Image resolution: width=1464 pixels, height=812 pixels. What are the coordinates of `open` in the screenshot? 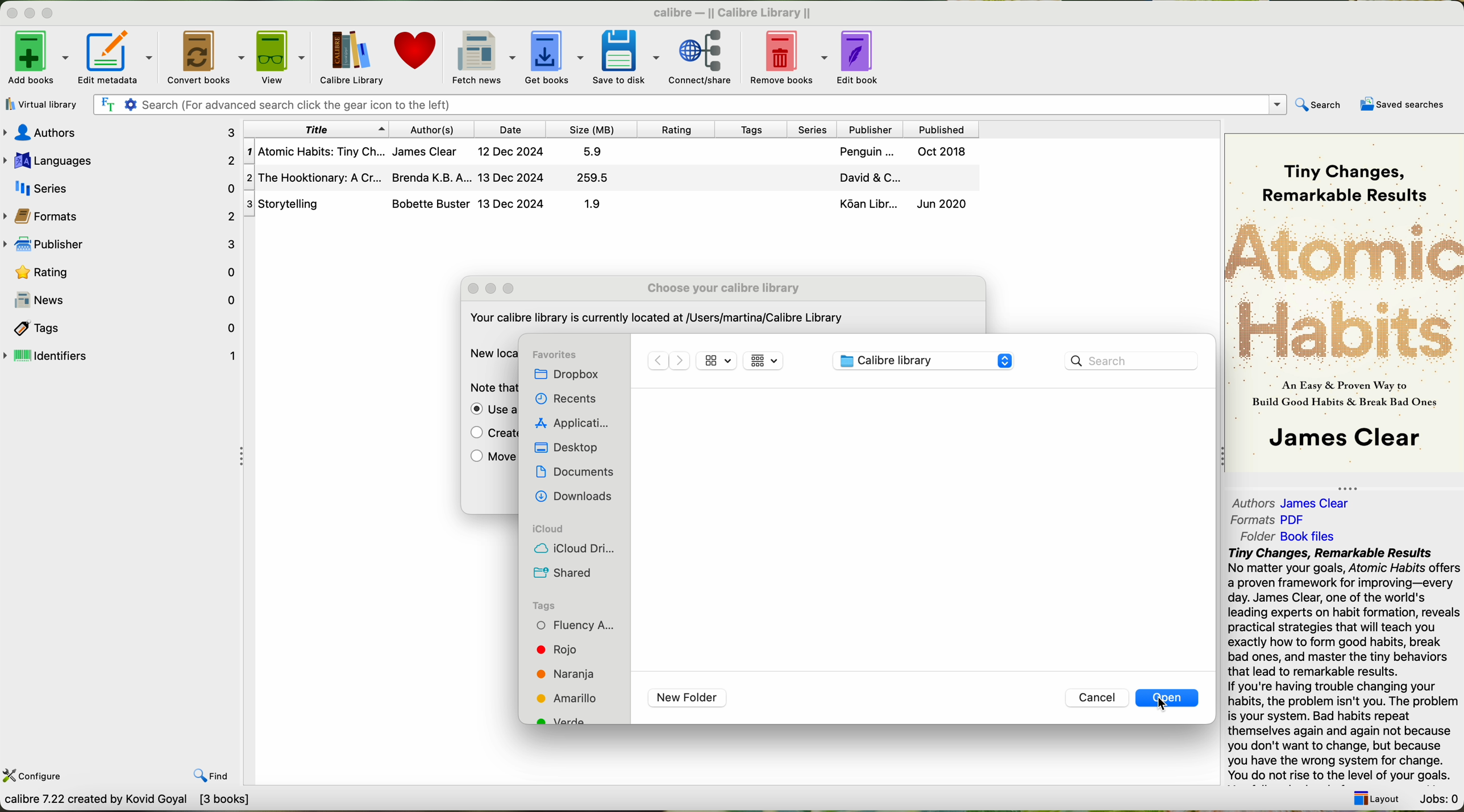 It's located at (1167, 698).